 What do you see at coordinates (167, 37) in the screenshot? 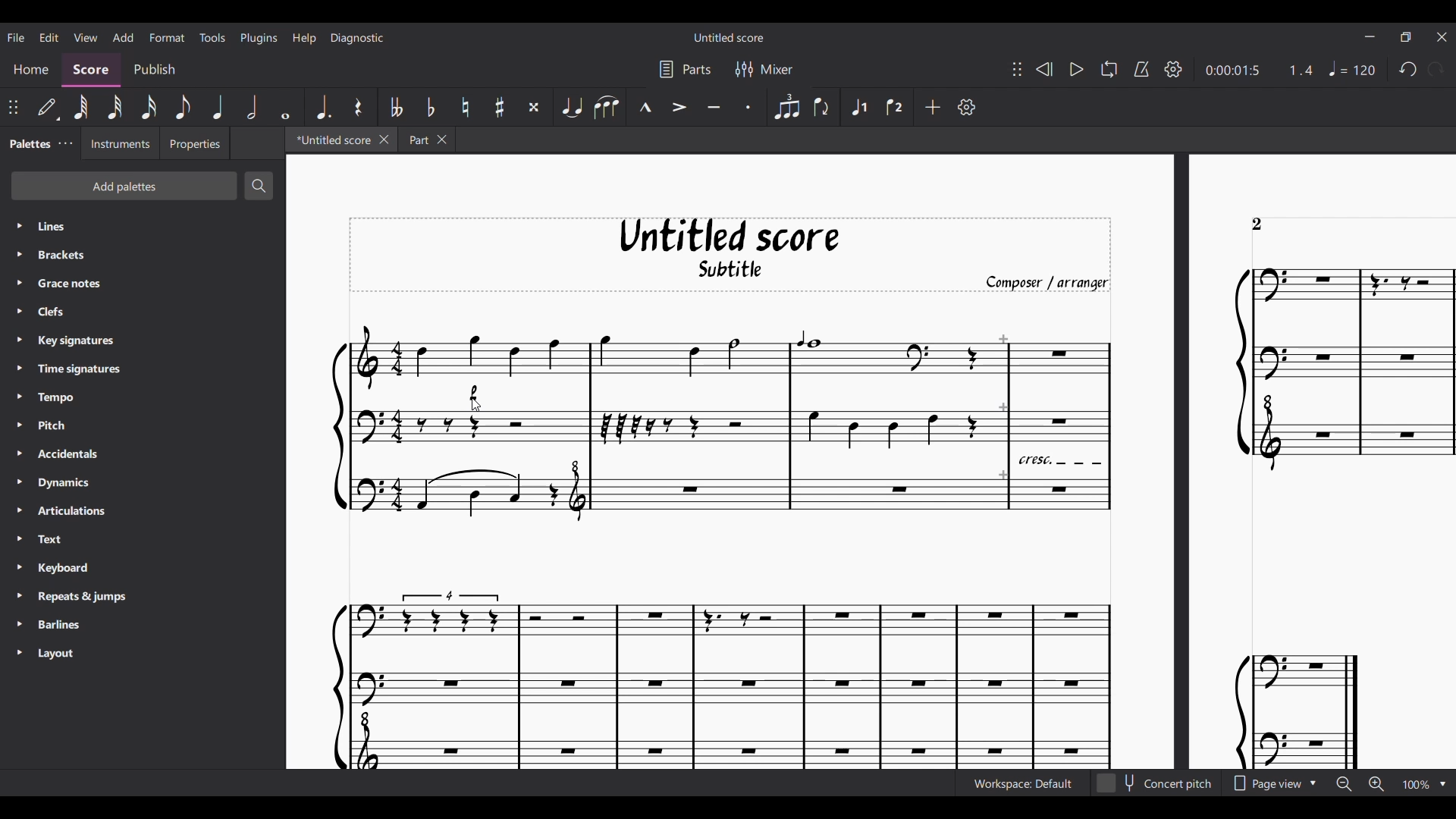
I see `Format menu` at bounding box center [167, 37].